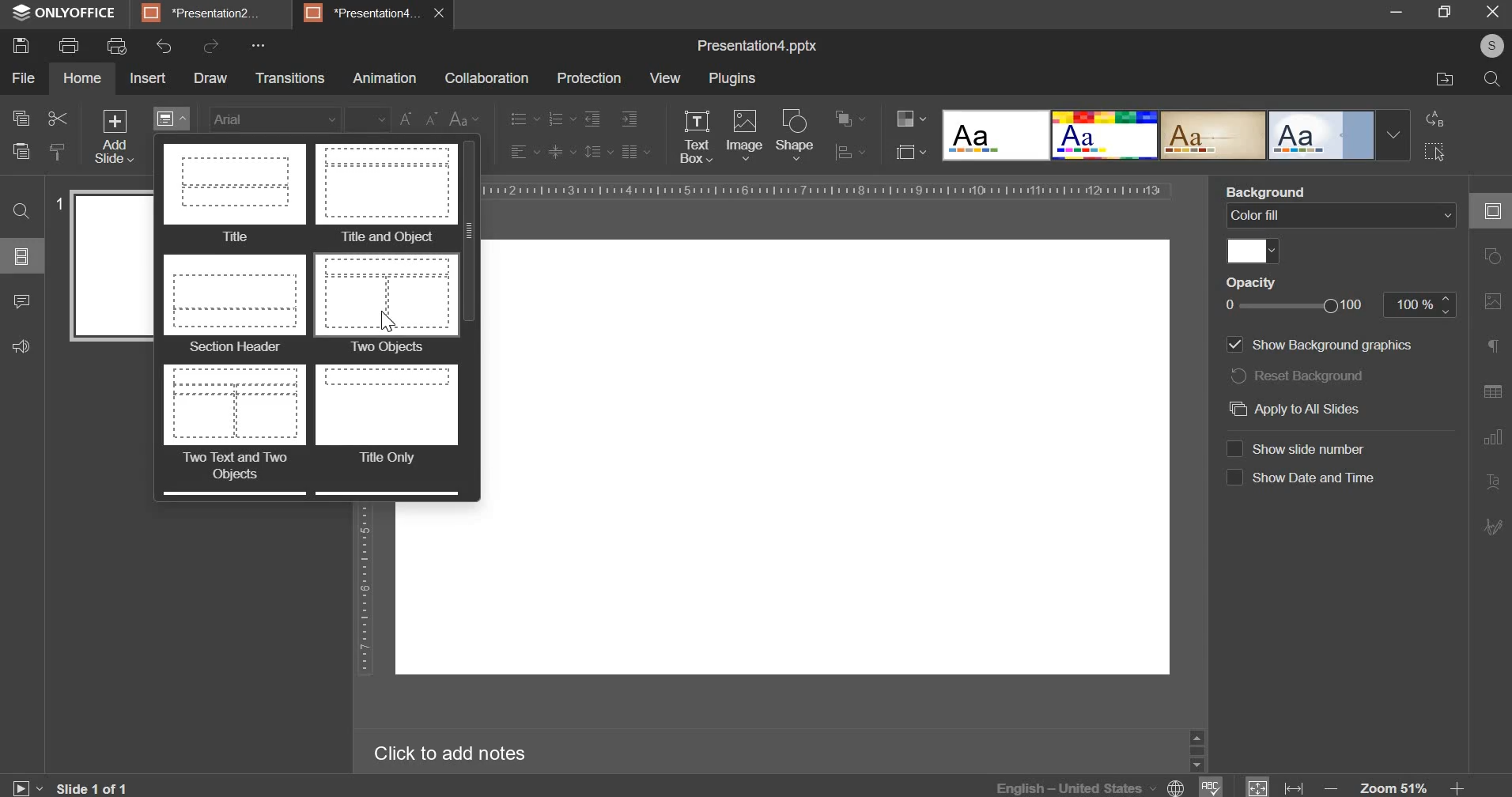  What do you see at coordinates (634, 150) in the screenshot?
I see `paragraph setting` at bounding box center [634, 150].